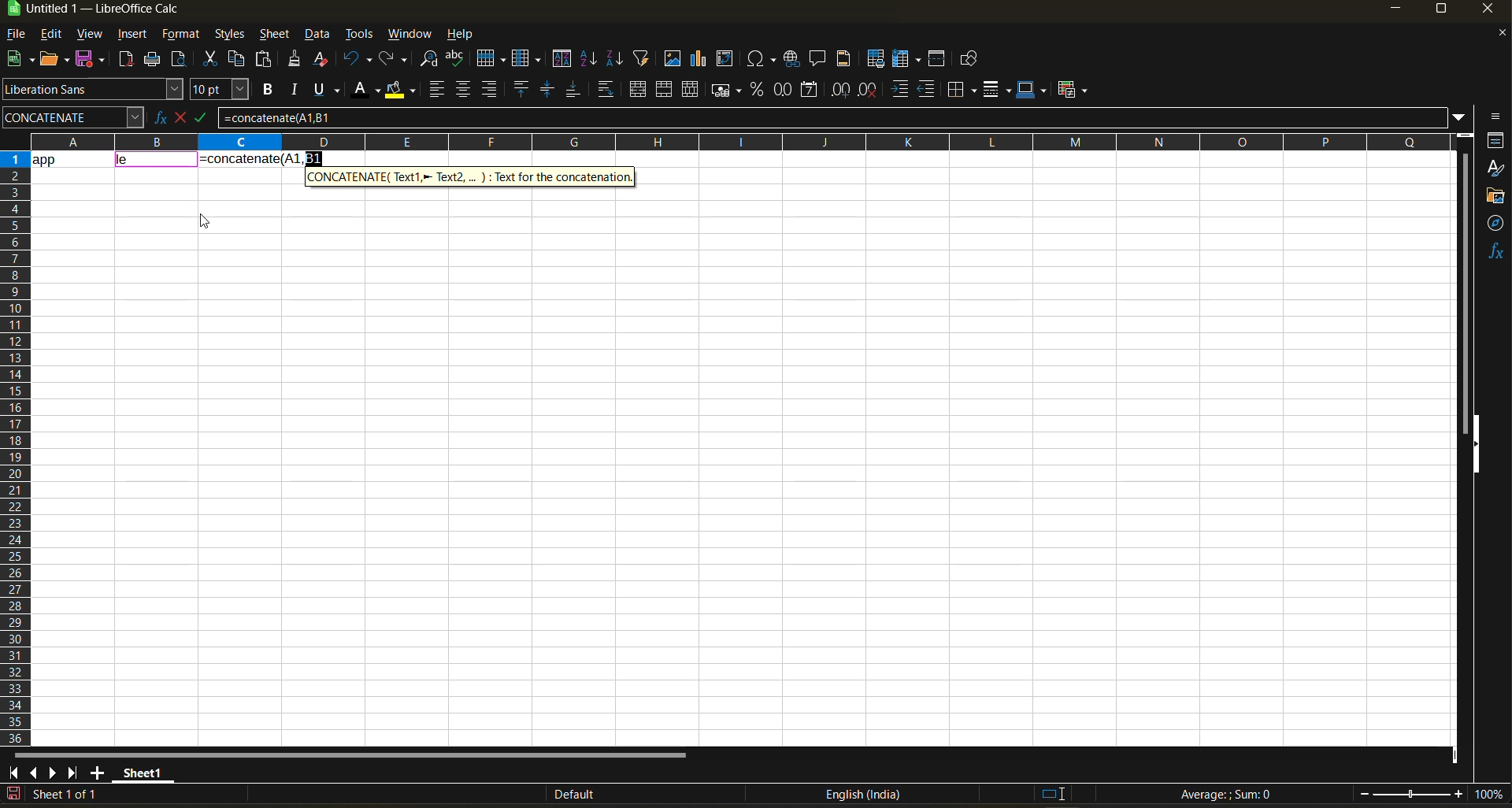  I want to click on border color, so click(1032, 89).